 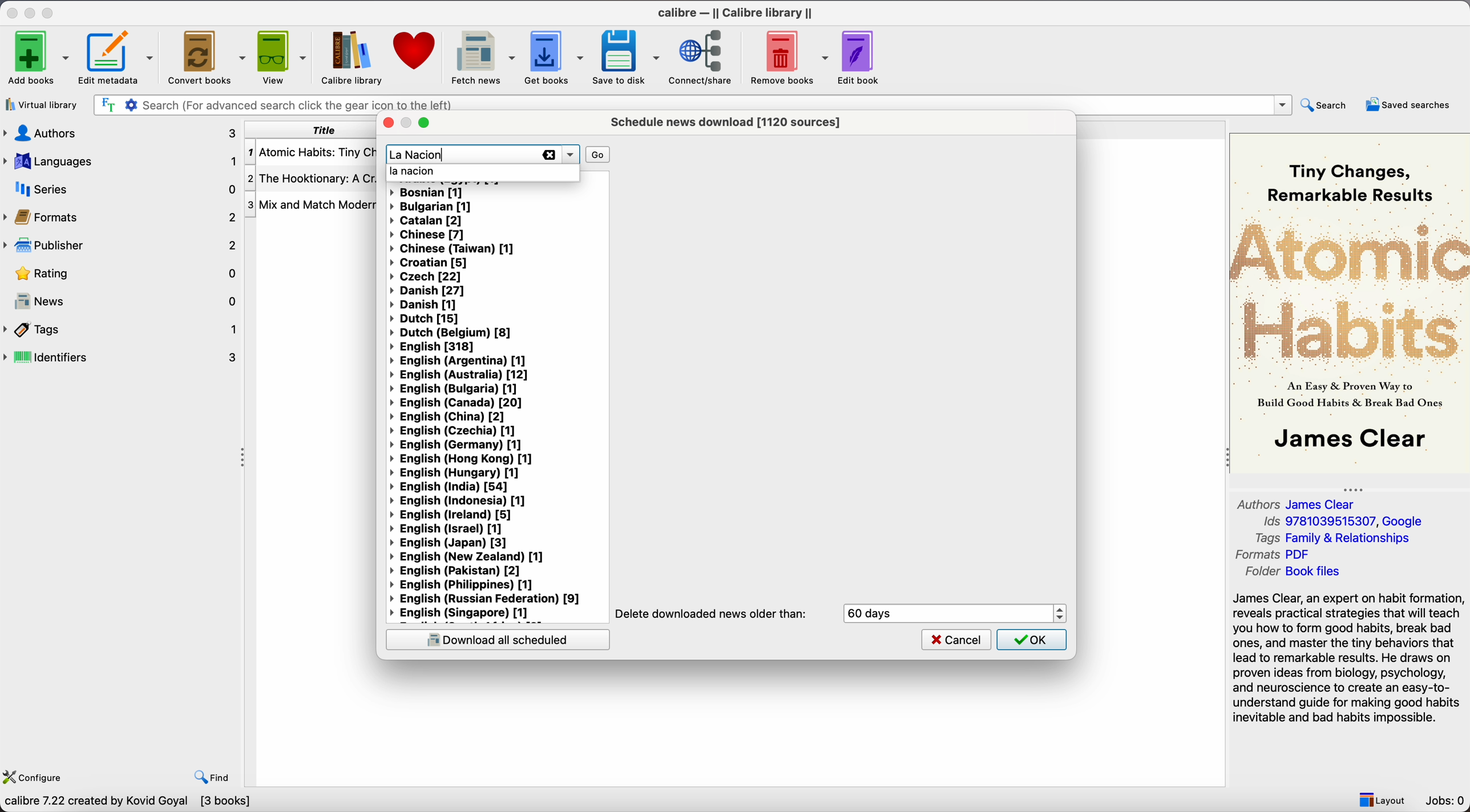 What do you see at coordinates (415, 173) in the screenshot?
I see `la nacion` at bounding box center [415, 173].